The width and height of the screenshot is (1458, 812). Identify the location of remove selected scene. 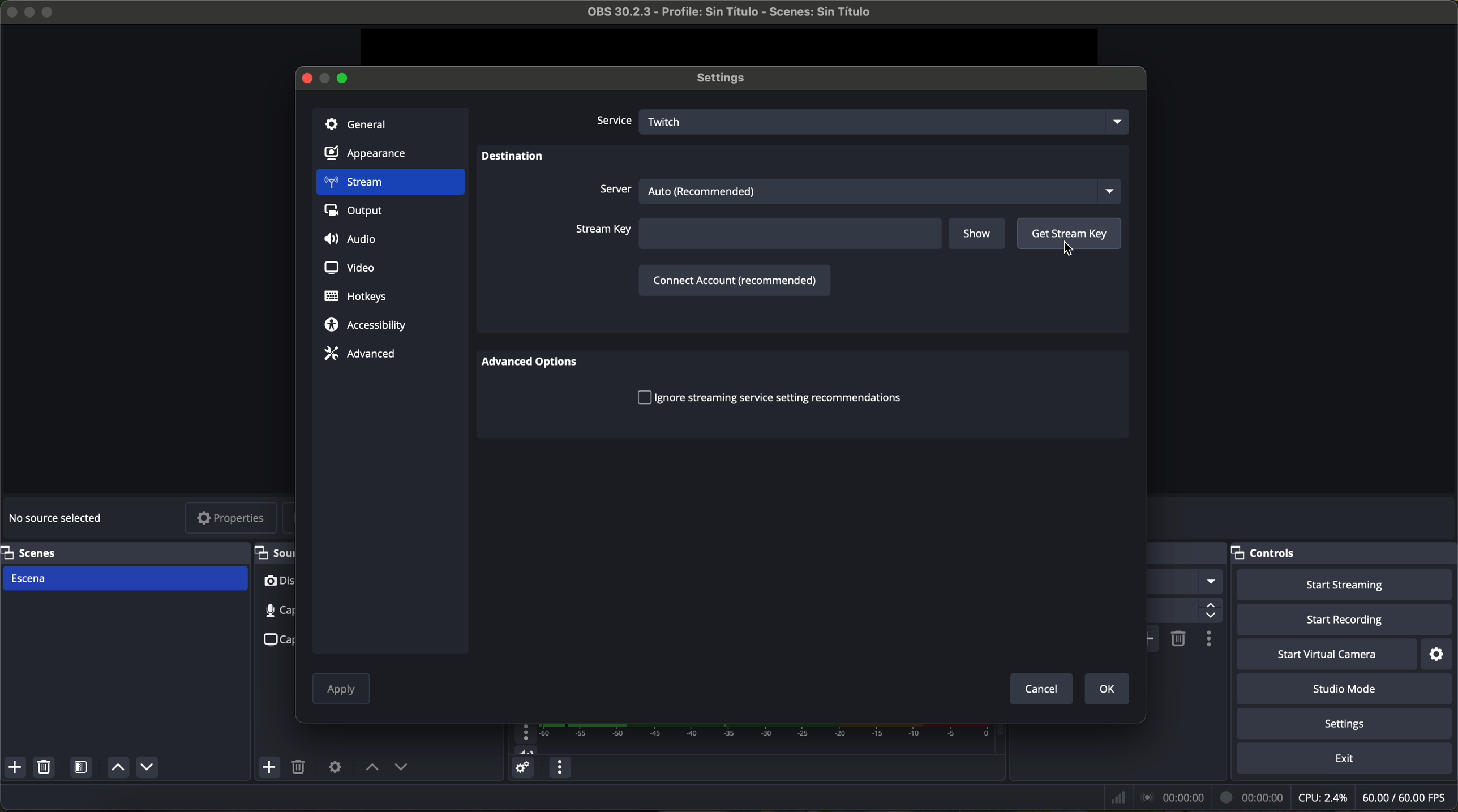
(46, 769).